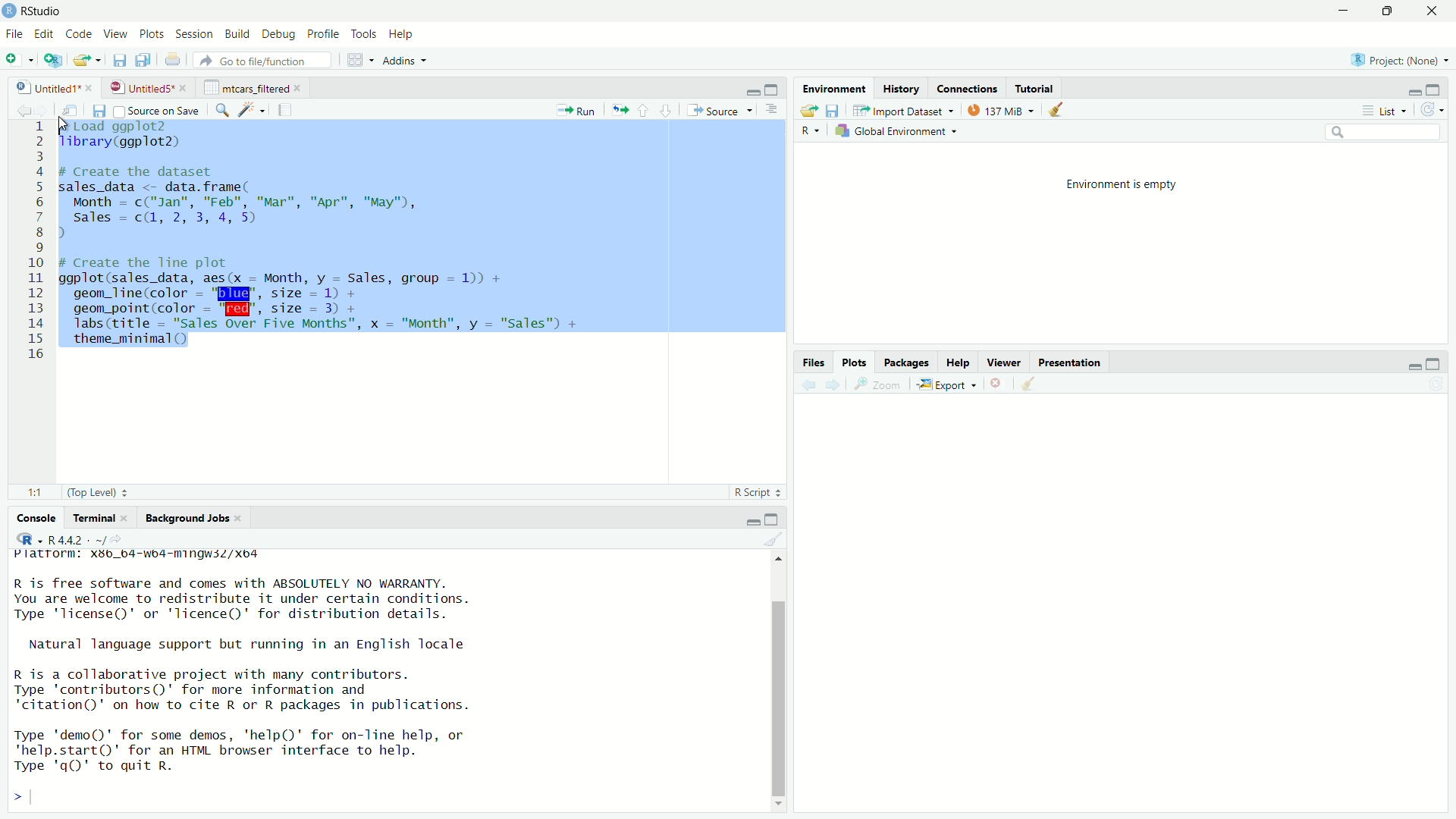  I want to click on show in new window, so click(76, 110).